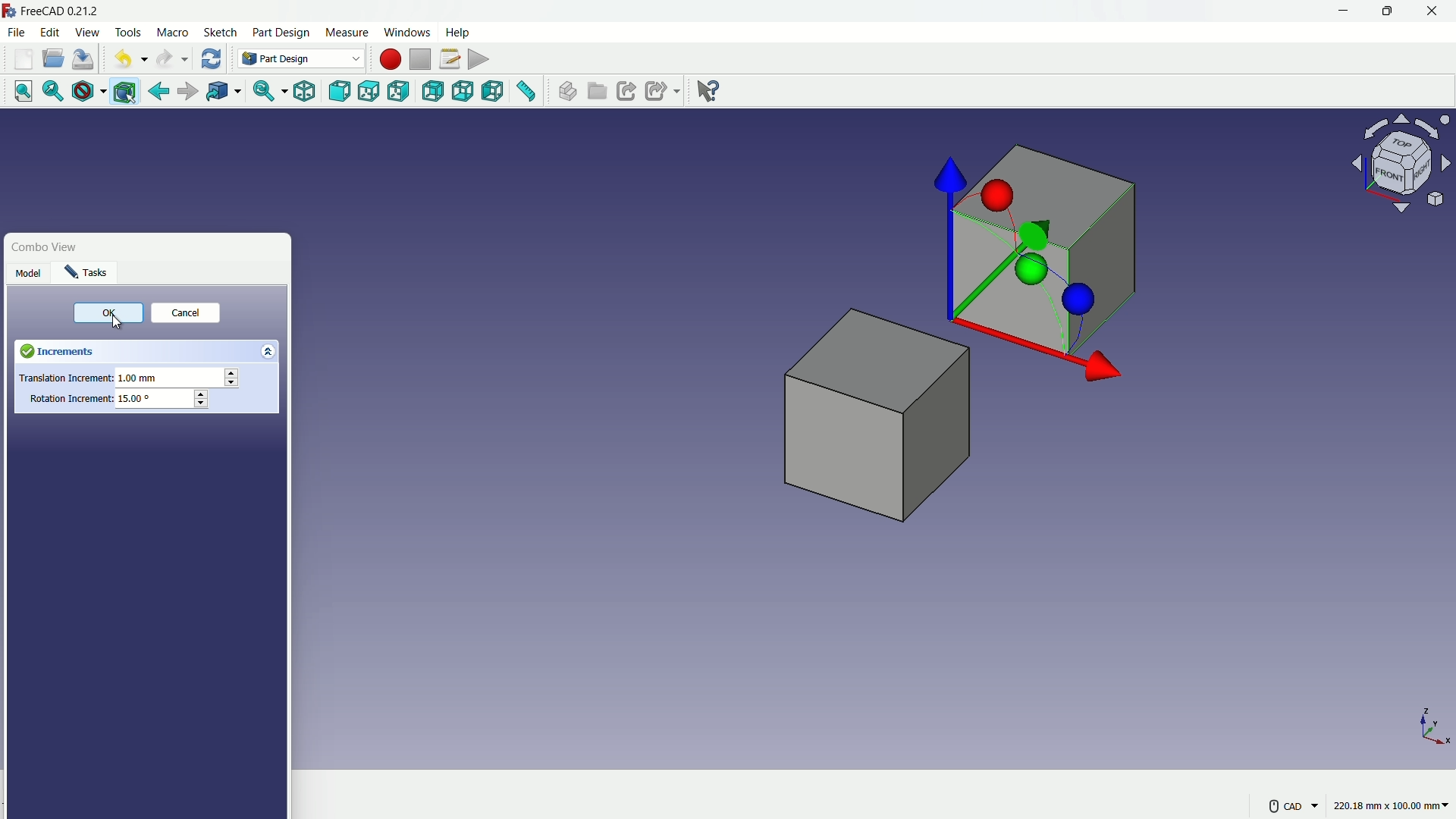 The image size is (1456, 819). Describe the element at coordinates (127, 60) in the screenshot. I see `undo` at that location.